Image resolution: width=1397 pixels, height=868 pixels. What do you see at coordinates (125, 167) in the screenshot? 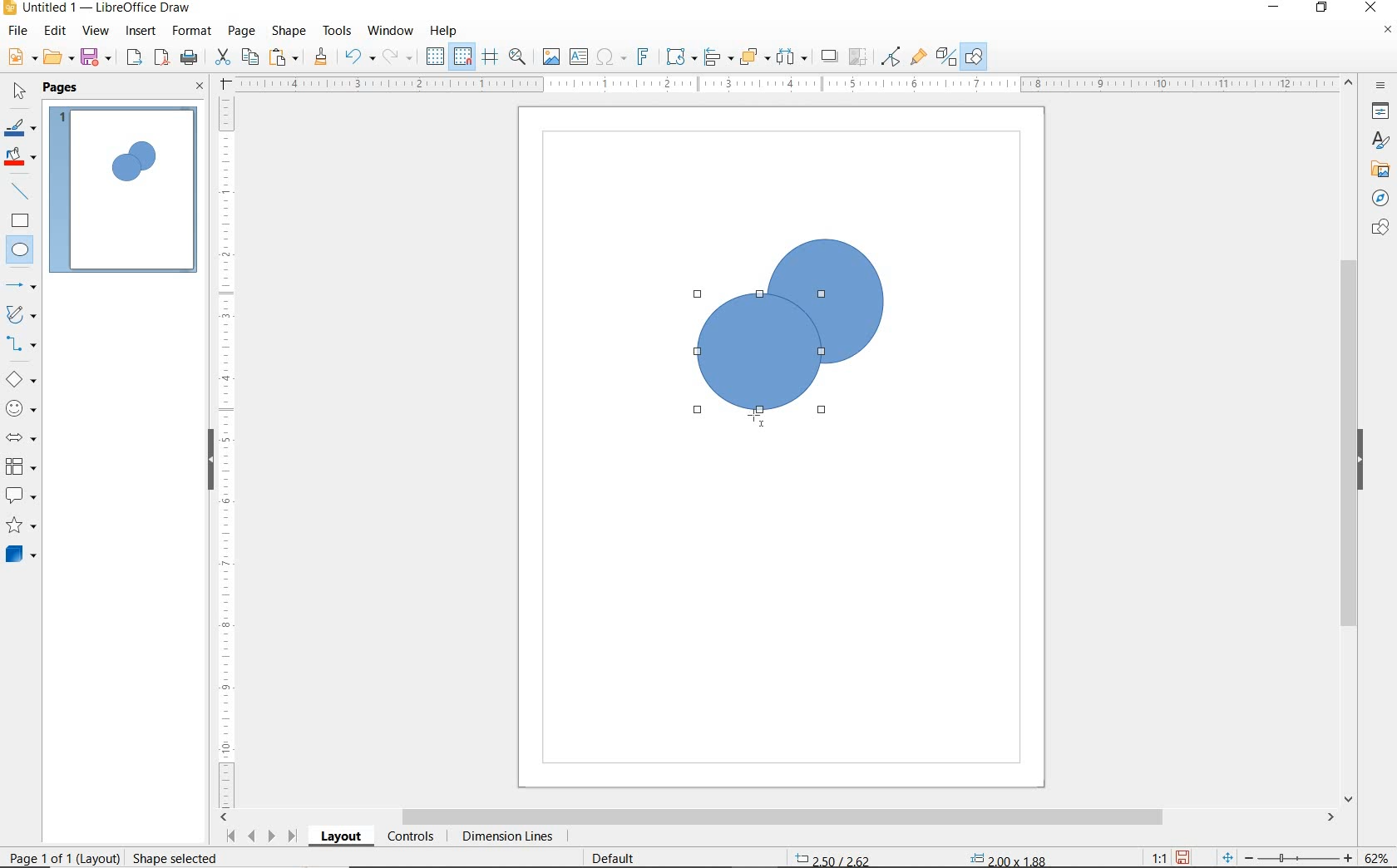
I see `CIRCLE ADDED` at bounding box center [125, 167].